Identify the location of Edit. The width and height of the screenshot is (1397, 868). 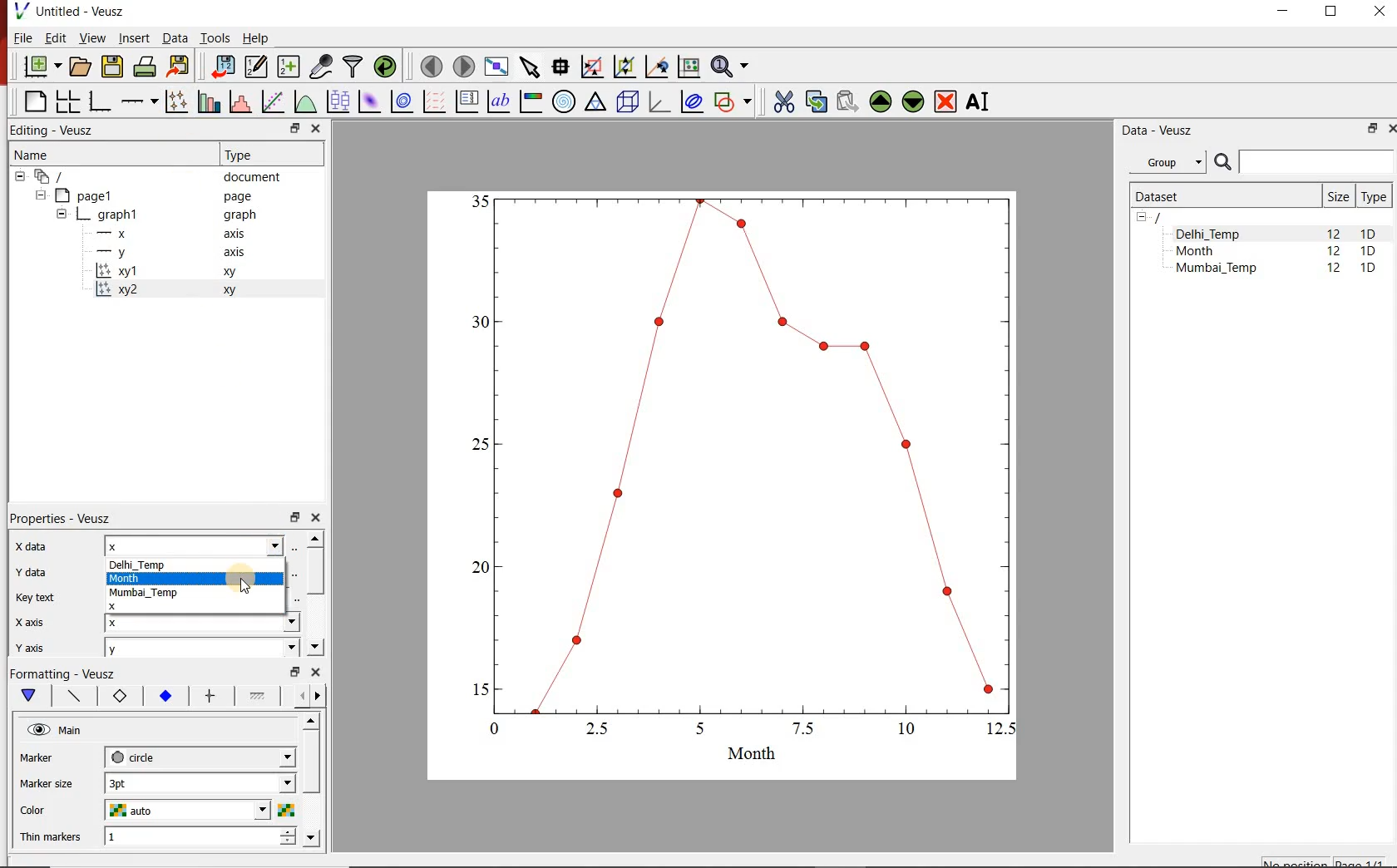
(54, 37).